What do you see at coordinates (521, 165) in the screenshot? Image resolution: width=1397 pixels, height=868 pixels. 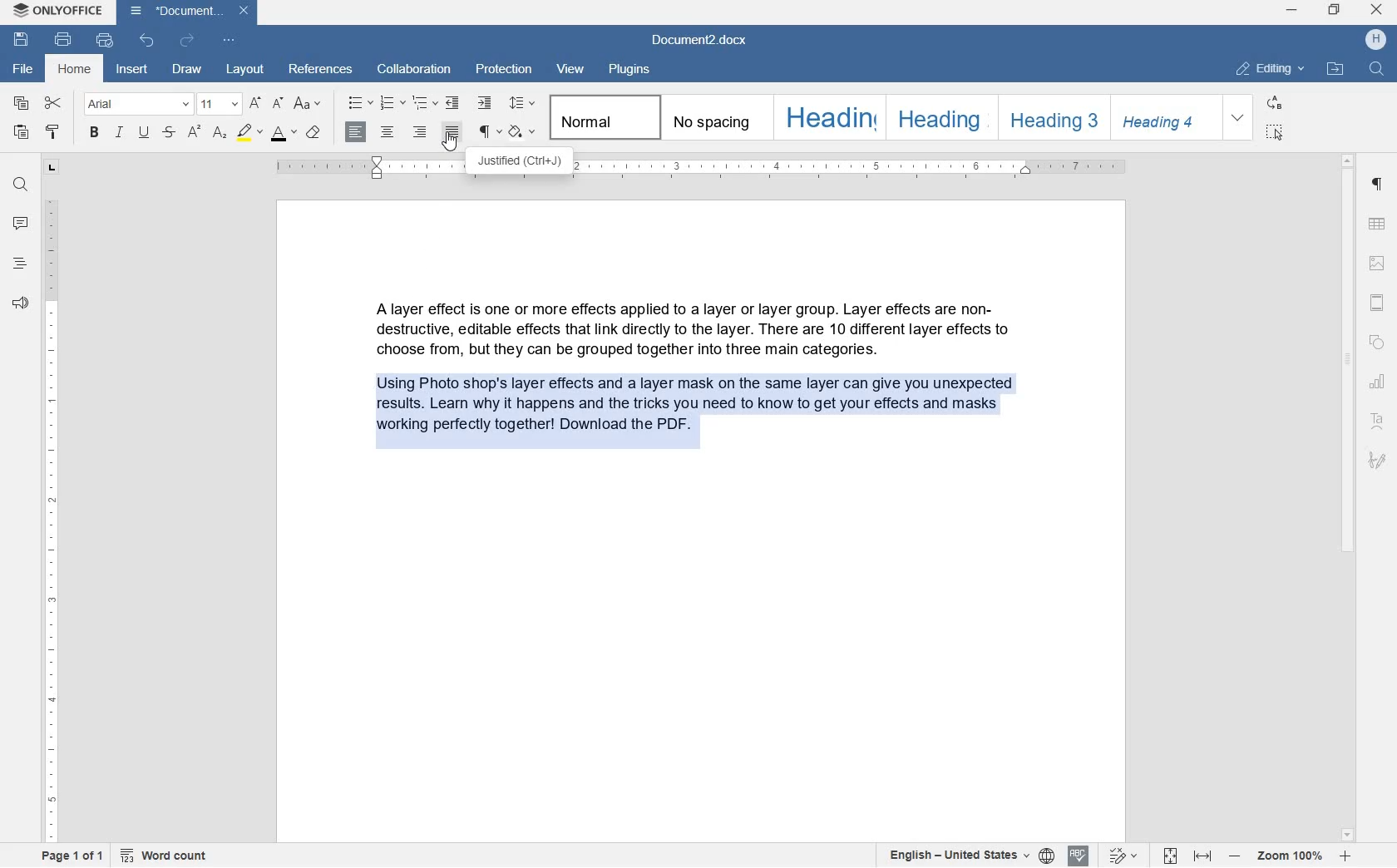 I see `JUSTIFIED` at bounding box center [521, 165].